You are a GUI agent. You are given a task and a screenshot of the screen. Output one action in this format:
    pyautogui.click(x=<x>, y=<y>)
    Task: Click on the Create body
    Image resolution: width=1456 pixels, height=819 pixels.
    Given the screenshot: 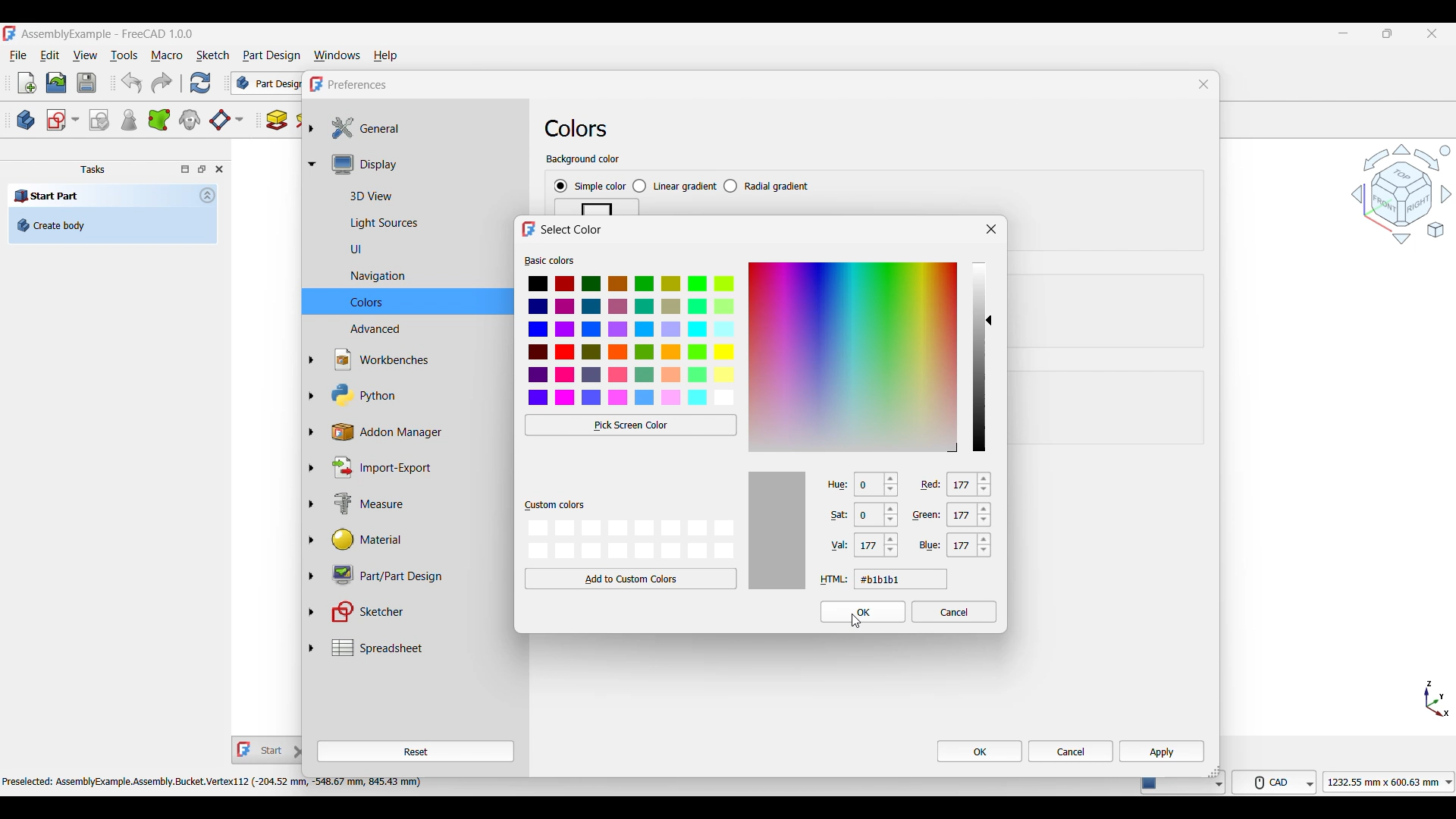 What is the action you would take?
    pyautogui.click(x=112, y=225)
    